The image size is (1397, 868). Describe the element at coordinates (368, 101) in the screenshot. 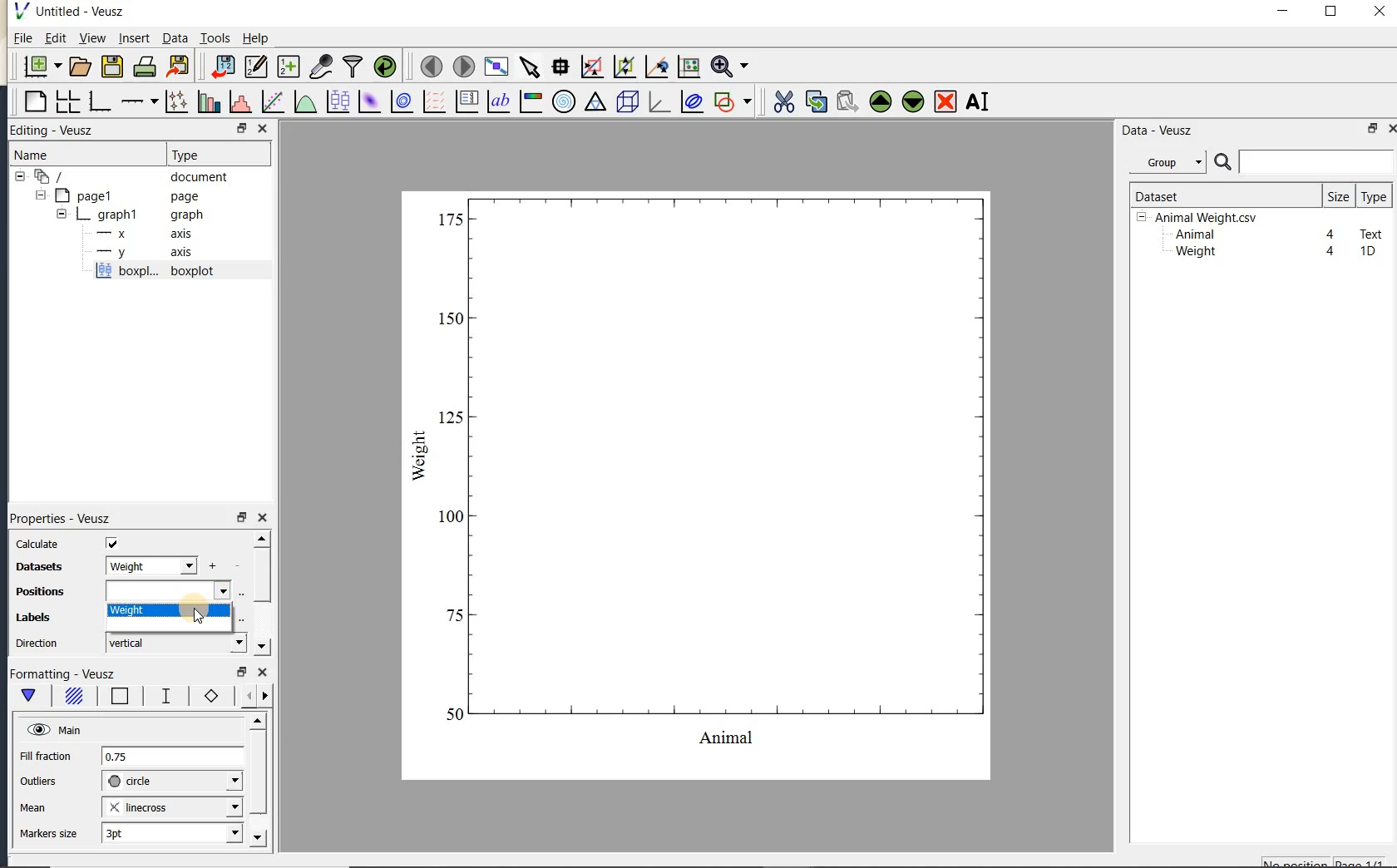

I see `plot a 2d dataset as an image` at that location.